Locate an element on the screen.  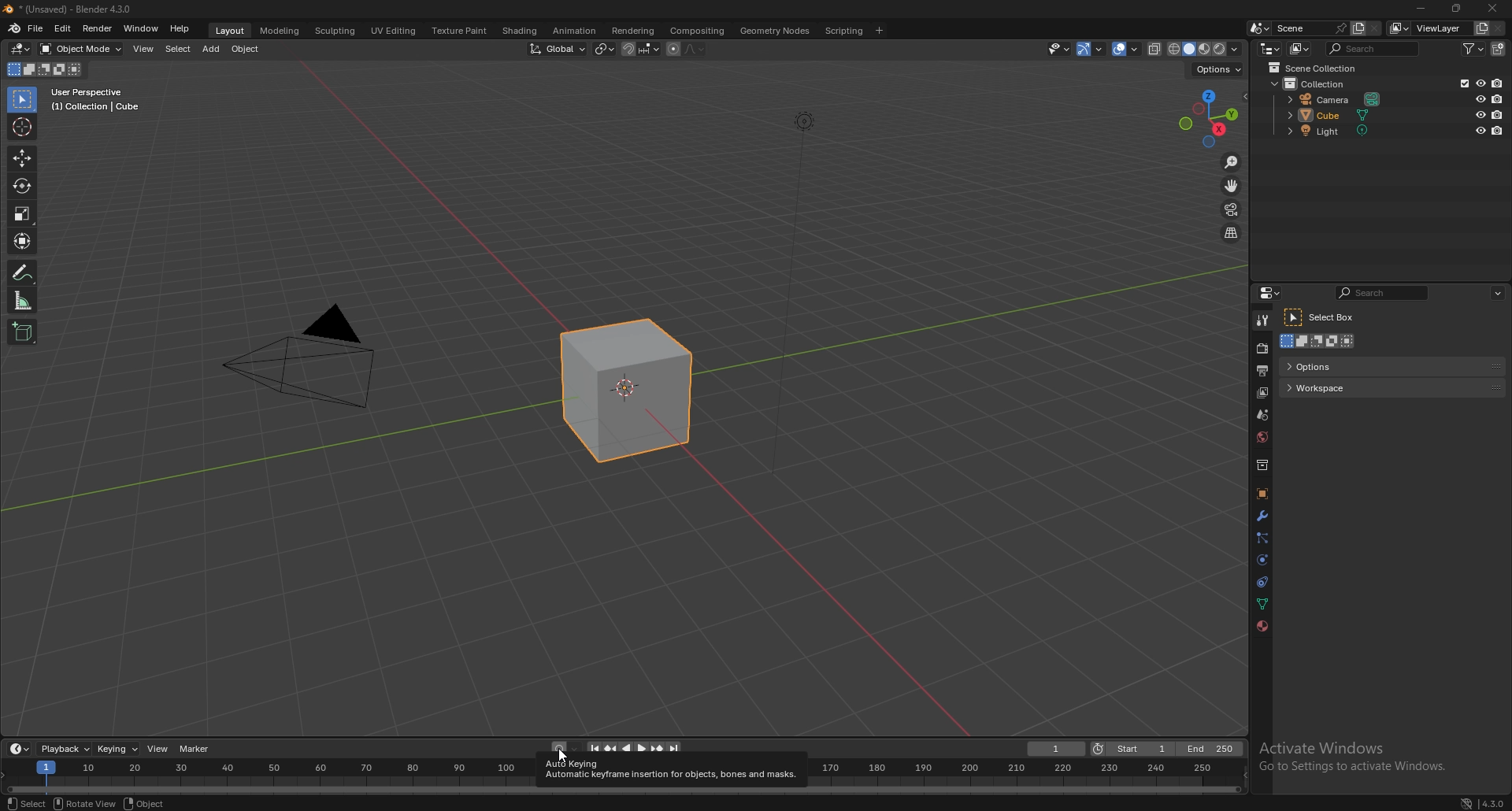
scale is located at coordinates (22, 213).